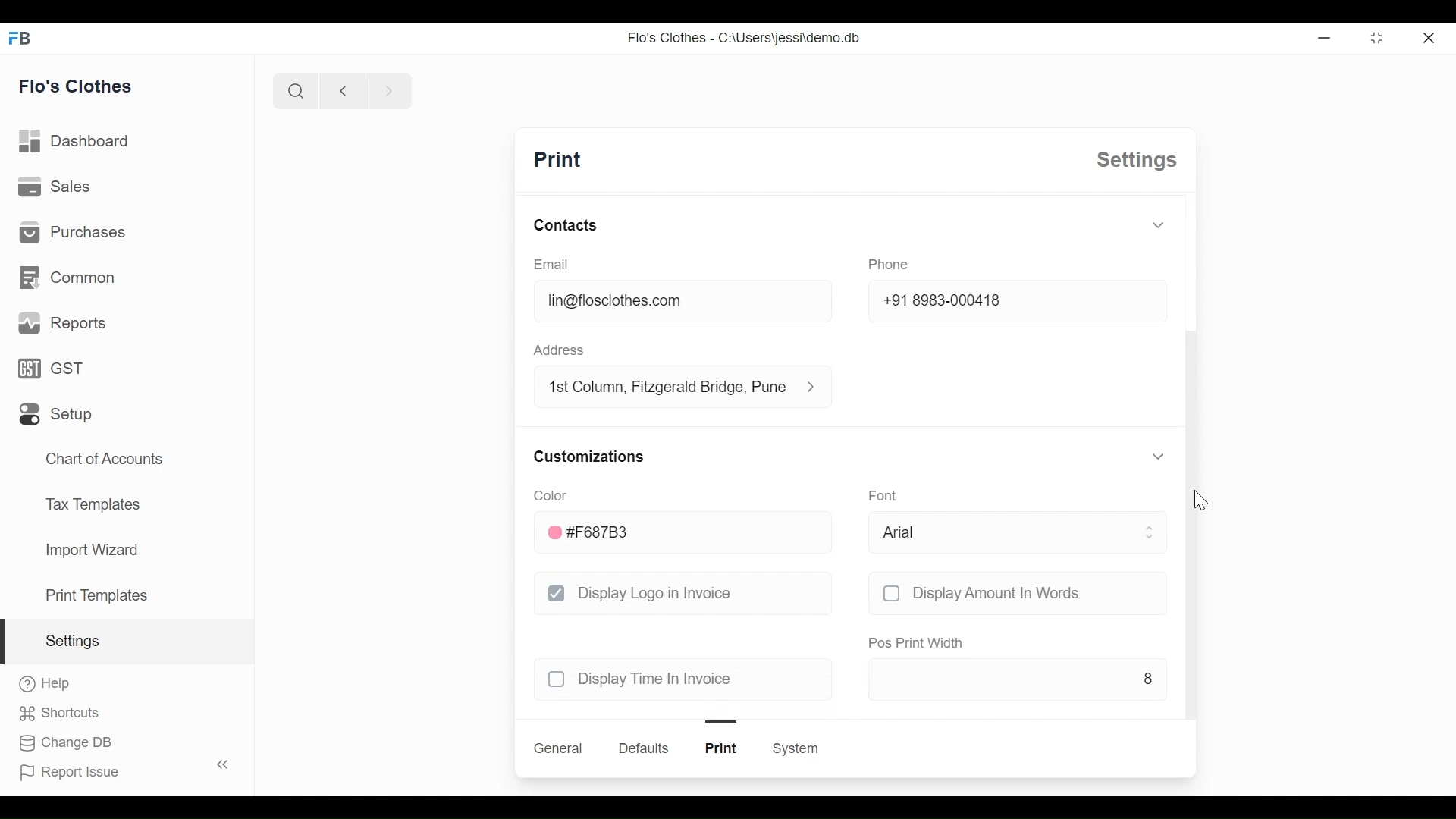  I want to click on next, so click(390, 90).